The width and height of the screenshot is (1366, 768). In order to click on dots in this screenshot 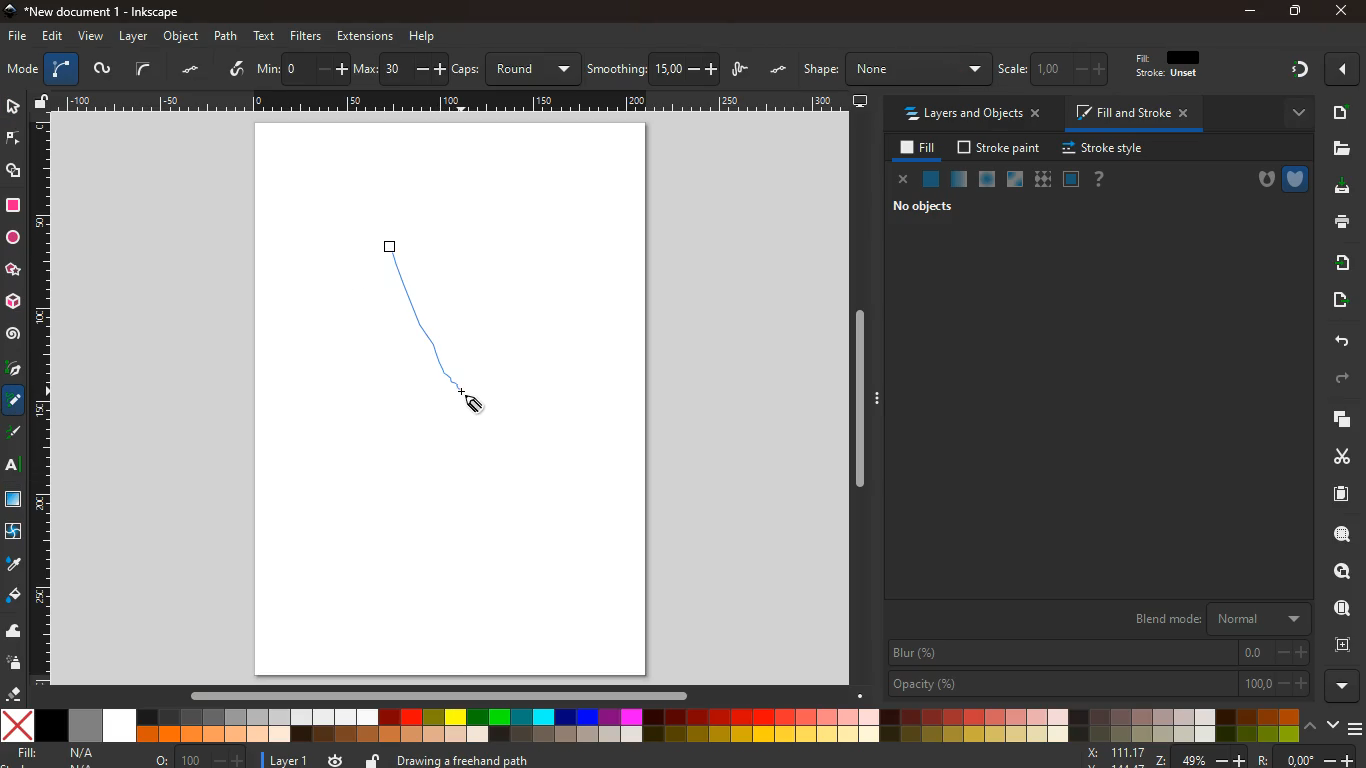, I will do `click(780, 70)`.